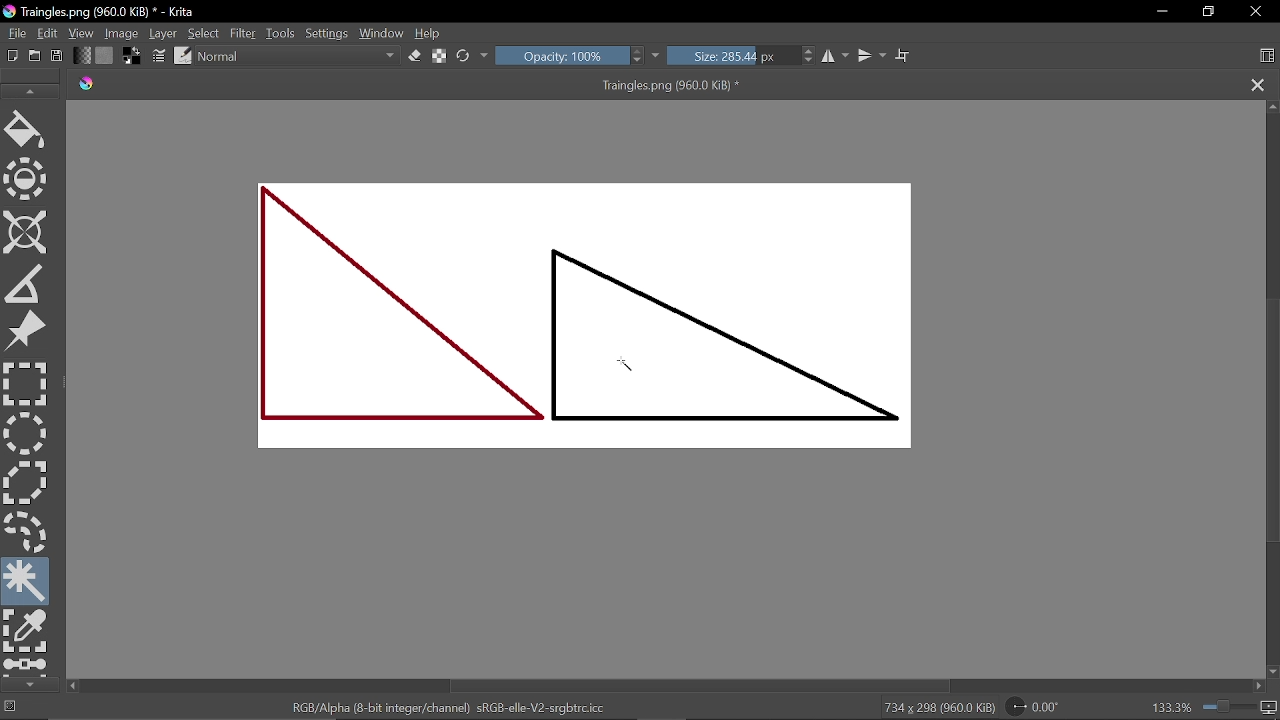  Describe the element at coordinates (25, 132) in the screenshot. I see `Fill color tool` at that location.